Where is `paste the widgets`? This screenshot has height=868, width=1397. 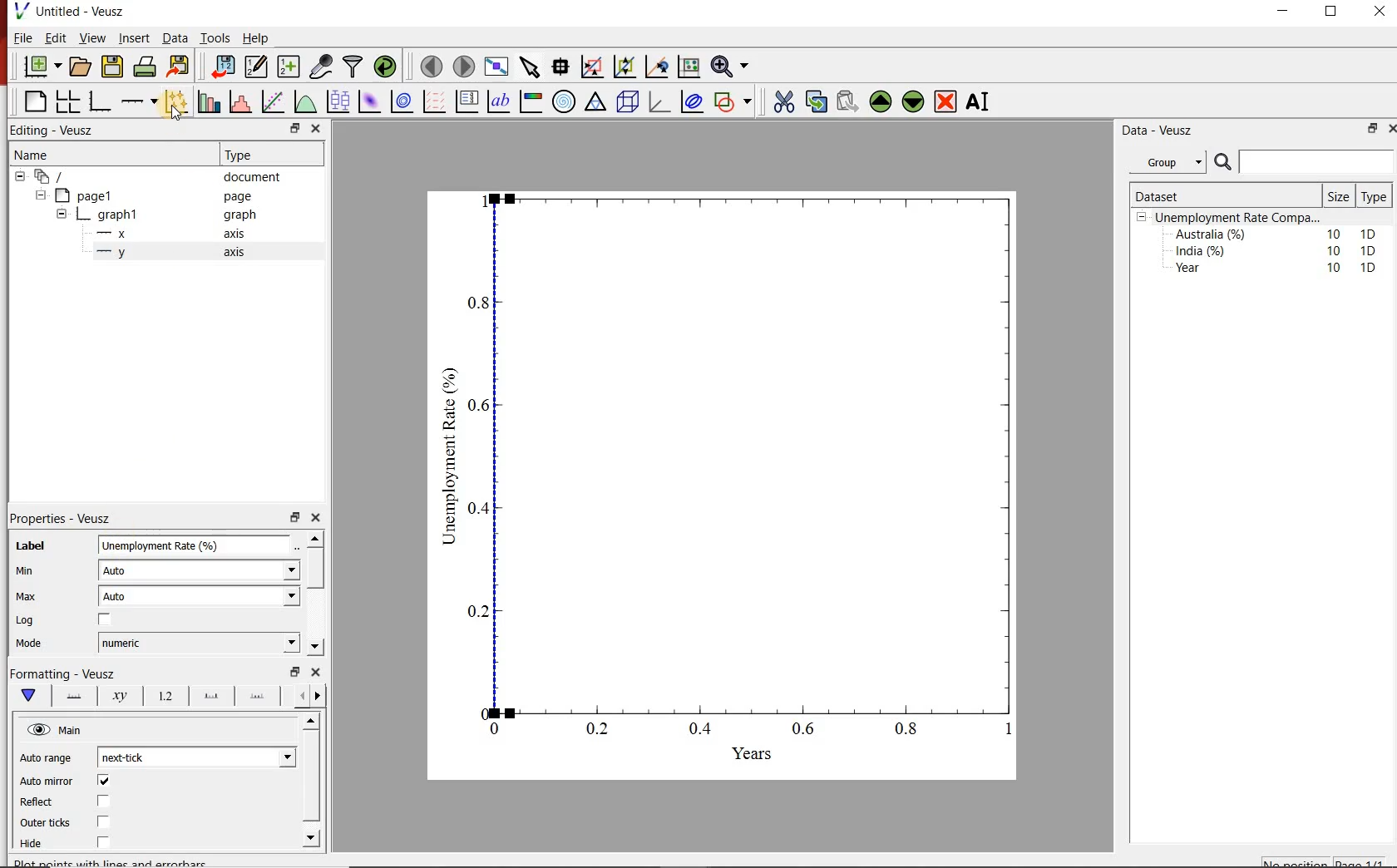 paste the widgets is located at coordinates (848, 101).